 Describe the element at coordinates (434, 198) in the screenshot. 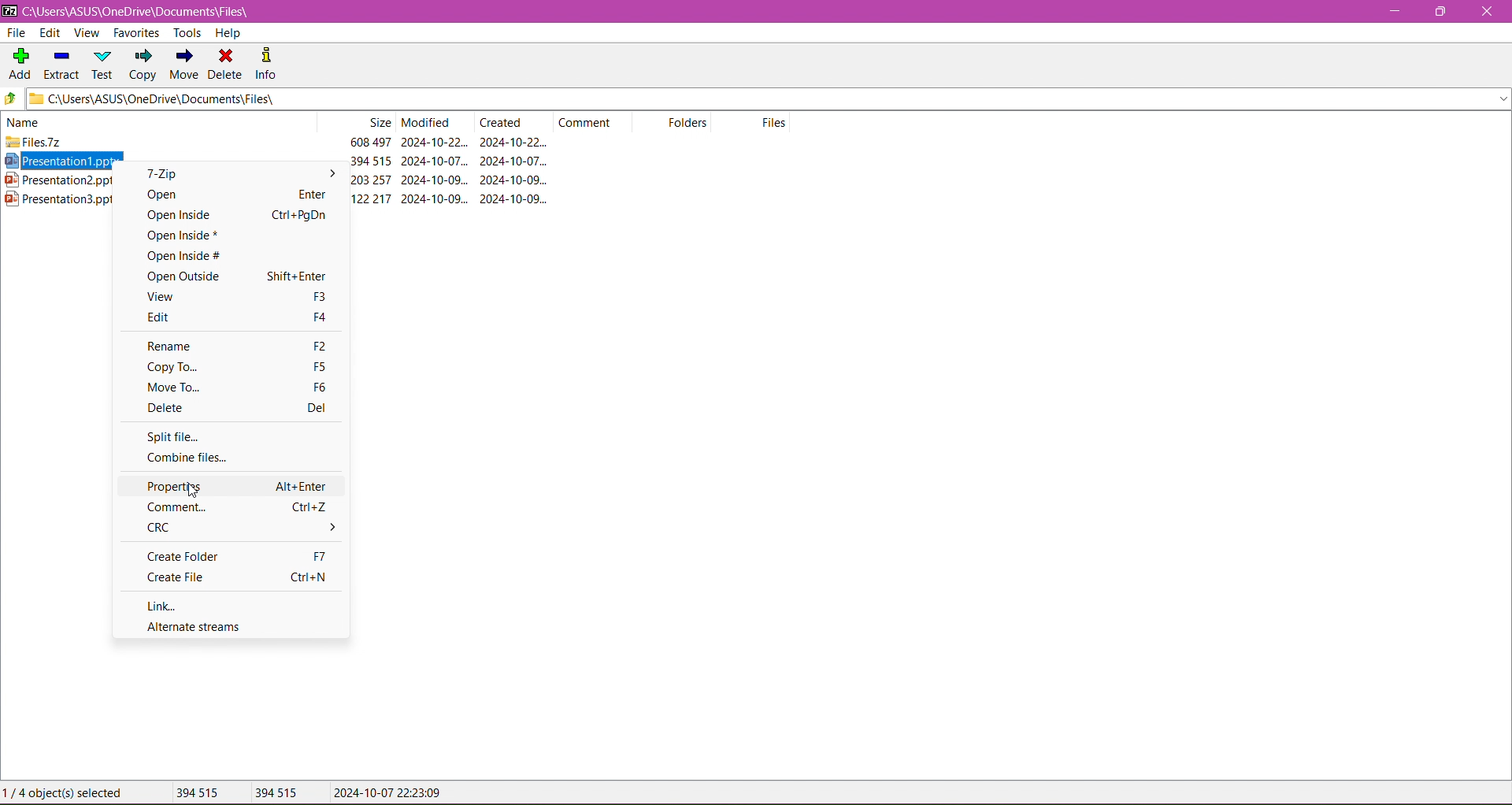

I see `2024-10-09` at that location.